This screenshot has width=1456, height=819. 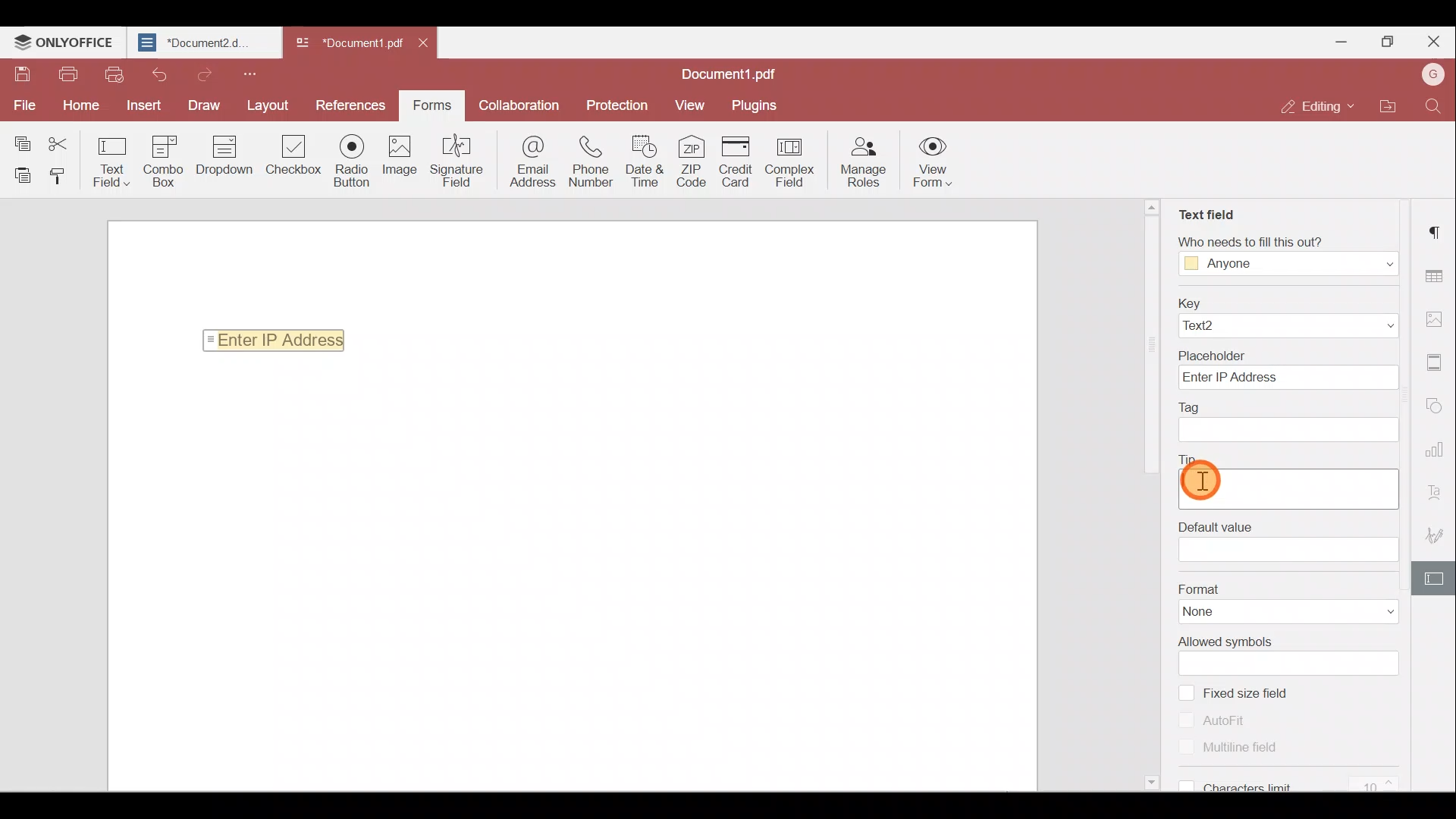 I want to click on Paste, so click(x=19, y=174).